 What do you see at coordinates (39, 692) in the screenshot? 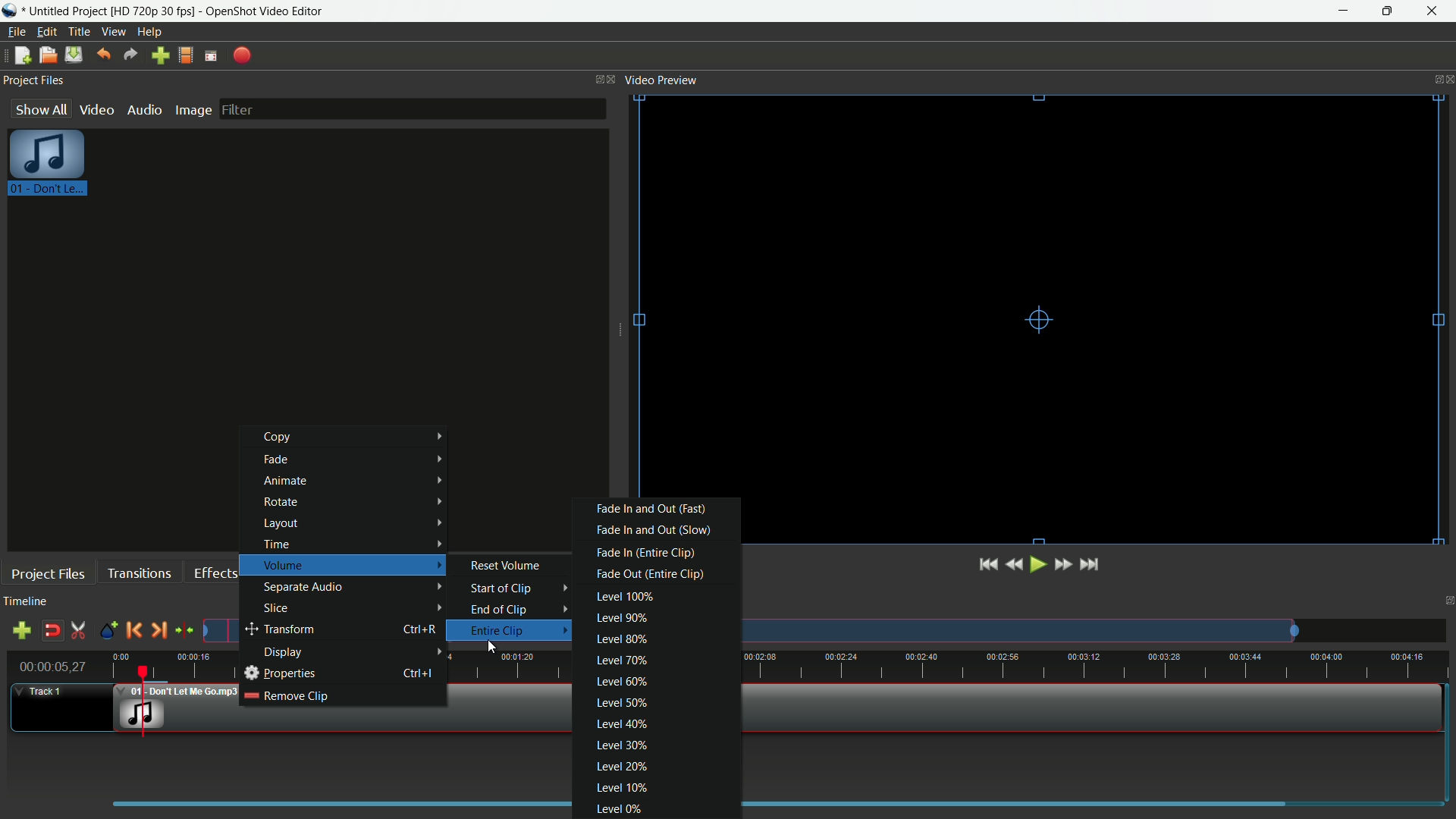
I see `track 1` at bounding box center [39, 692].